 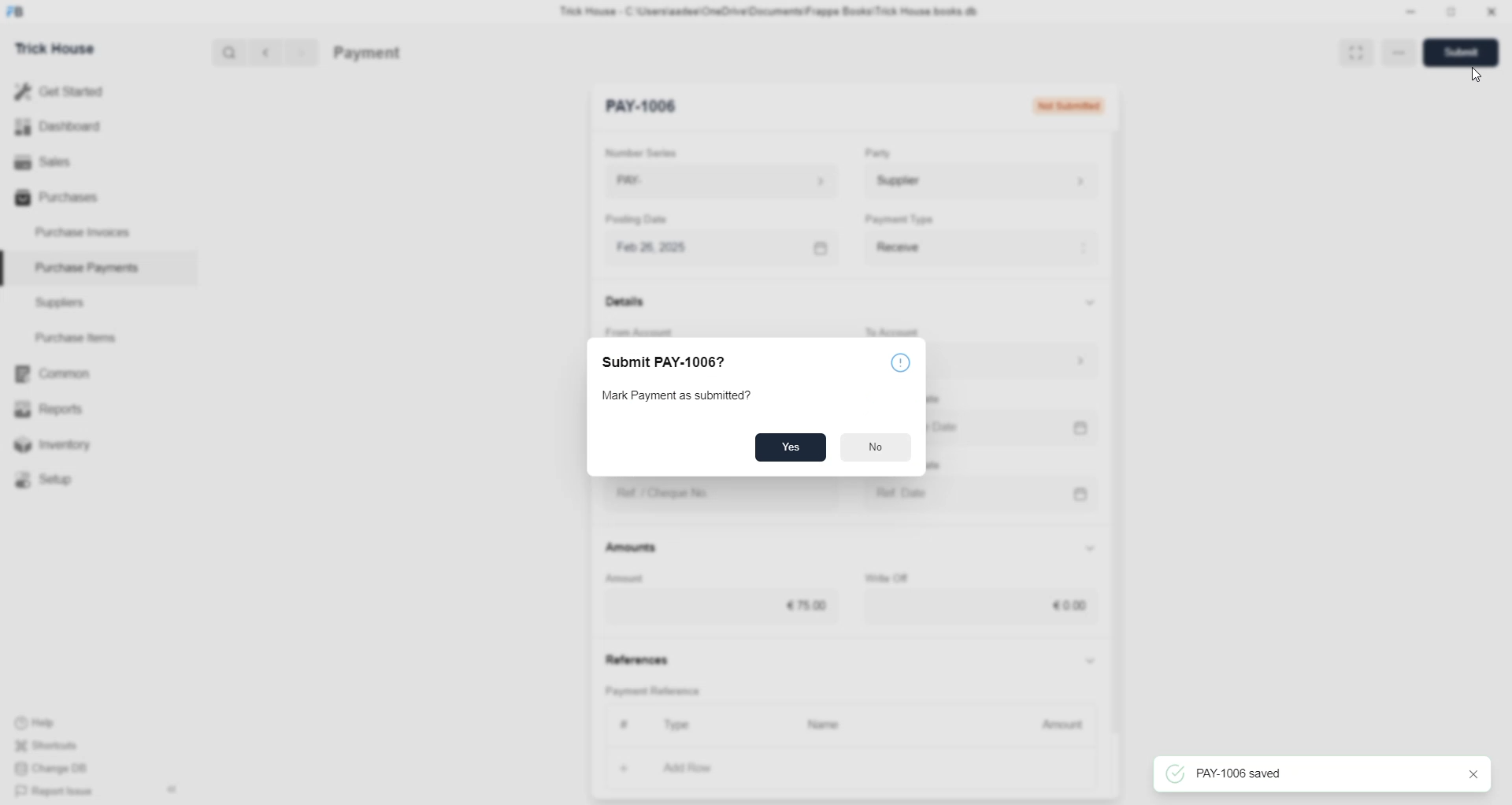 What do you see at coordinates (876, 446) in the screenshot?
I see `No` at bounding box center [876, 446].